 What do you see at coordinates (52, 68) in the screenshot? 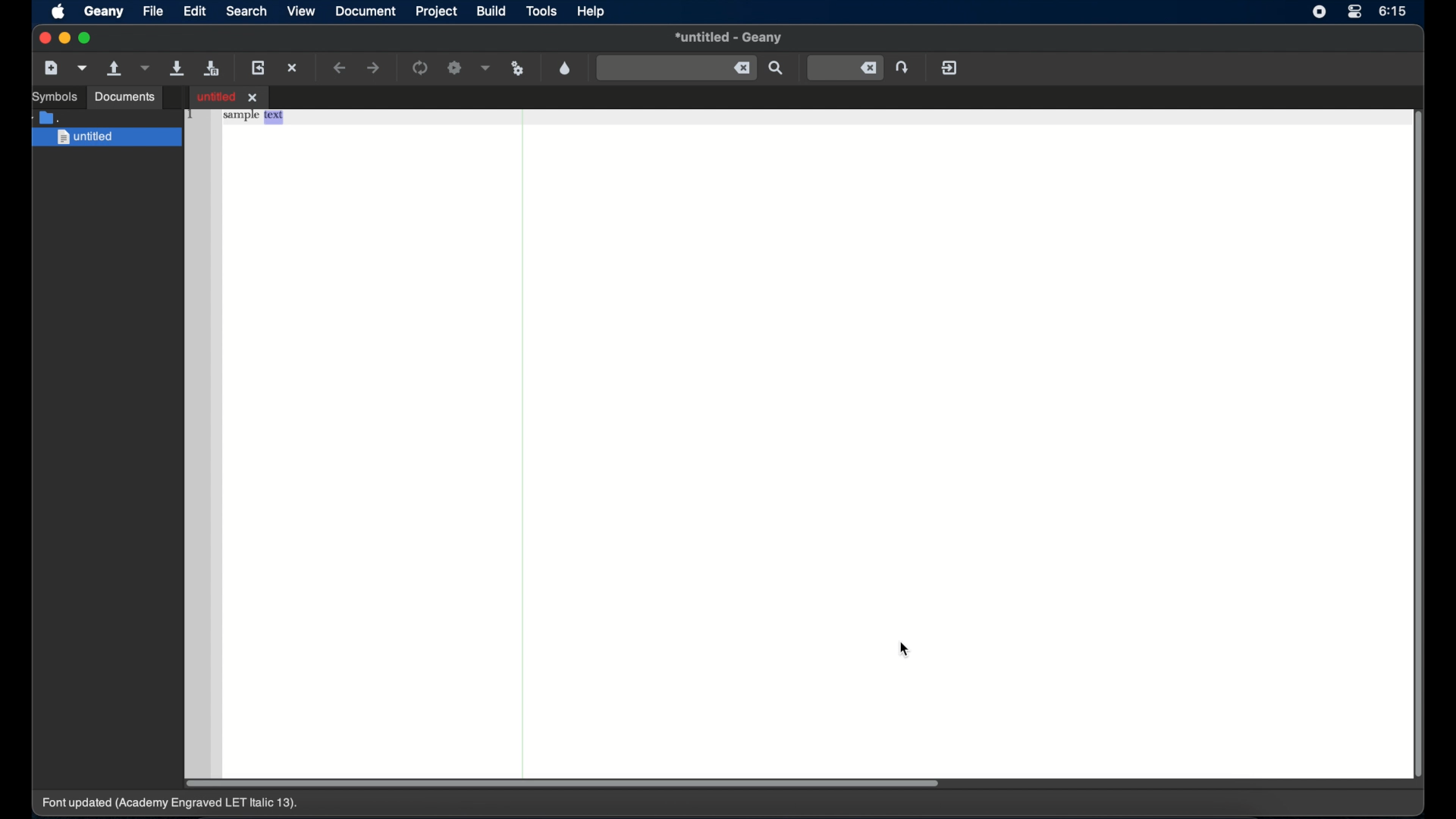
I see `create a new file` at bounding box center [52, 68].